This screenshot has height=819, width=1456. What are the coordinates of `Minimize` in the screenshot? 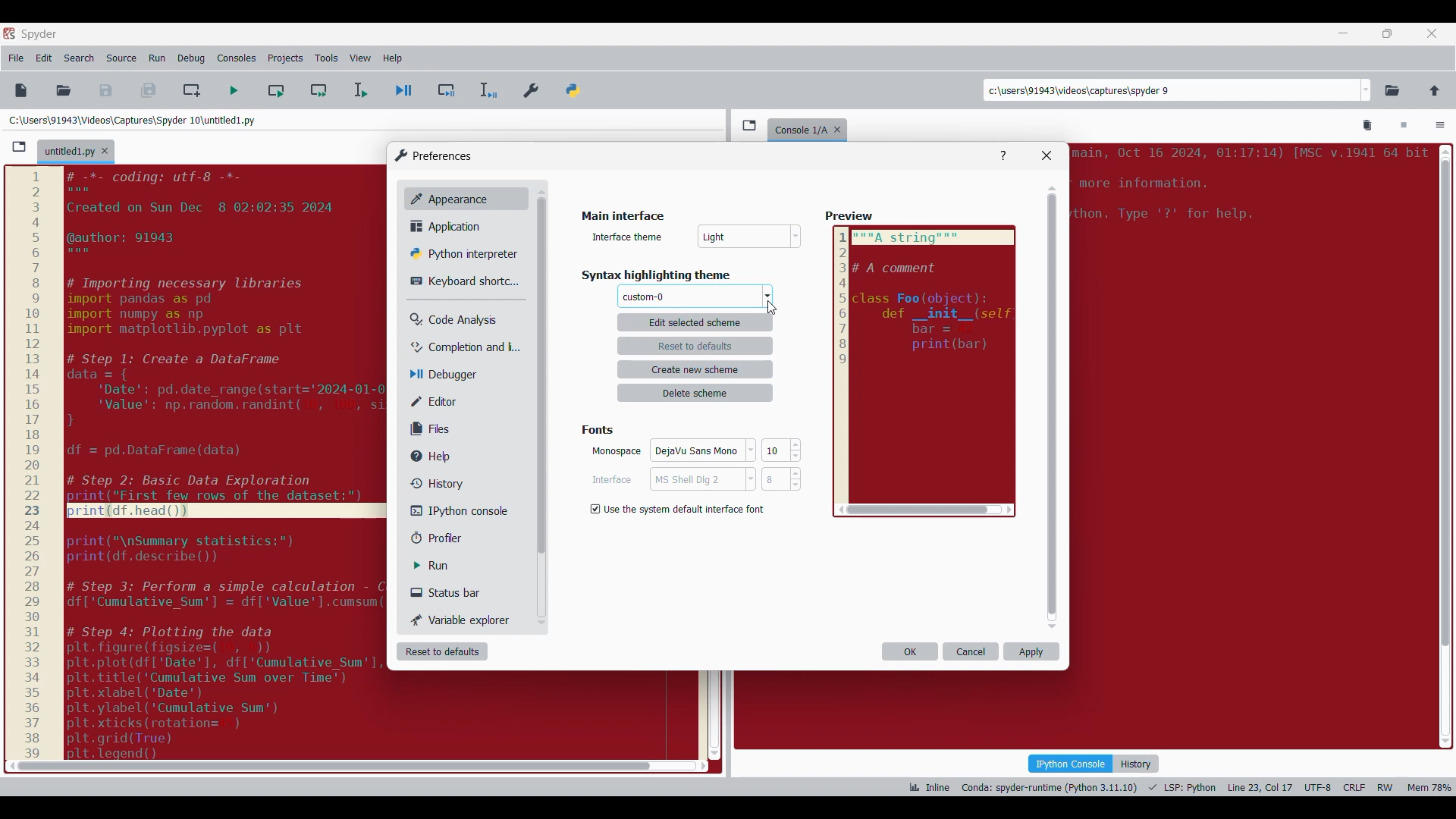 It's located at (1344, 33).